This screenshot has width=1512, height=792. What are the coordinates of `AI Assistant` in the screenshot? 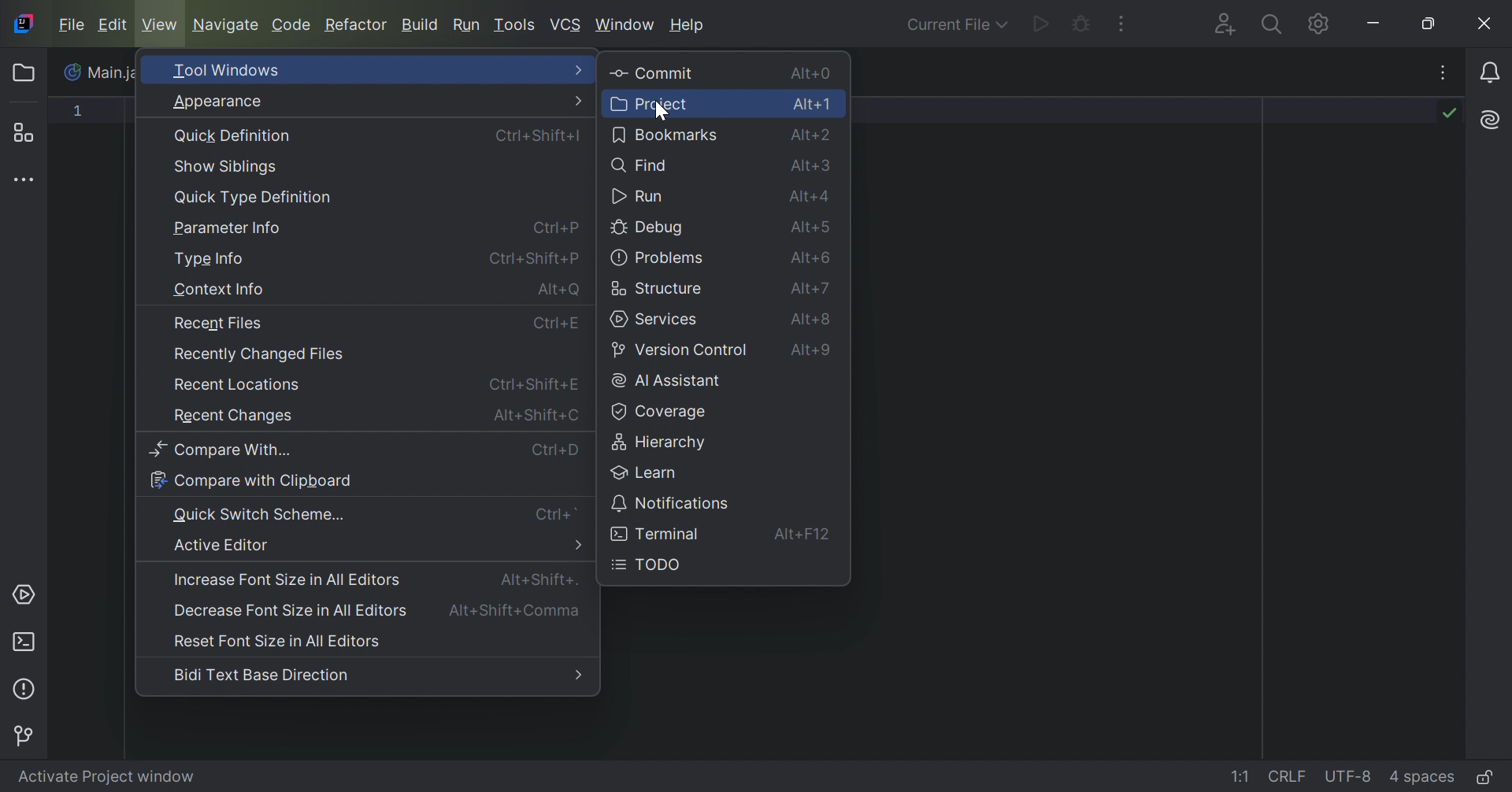 It's located at (669, 381).